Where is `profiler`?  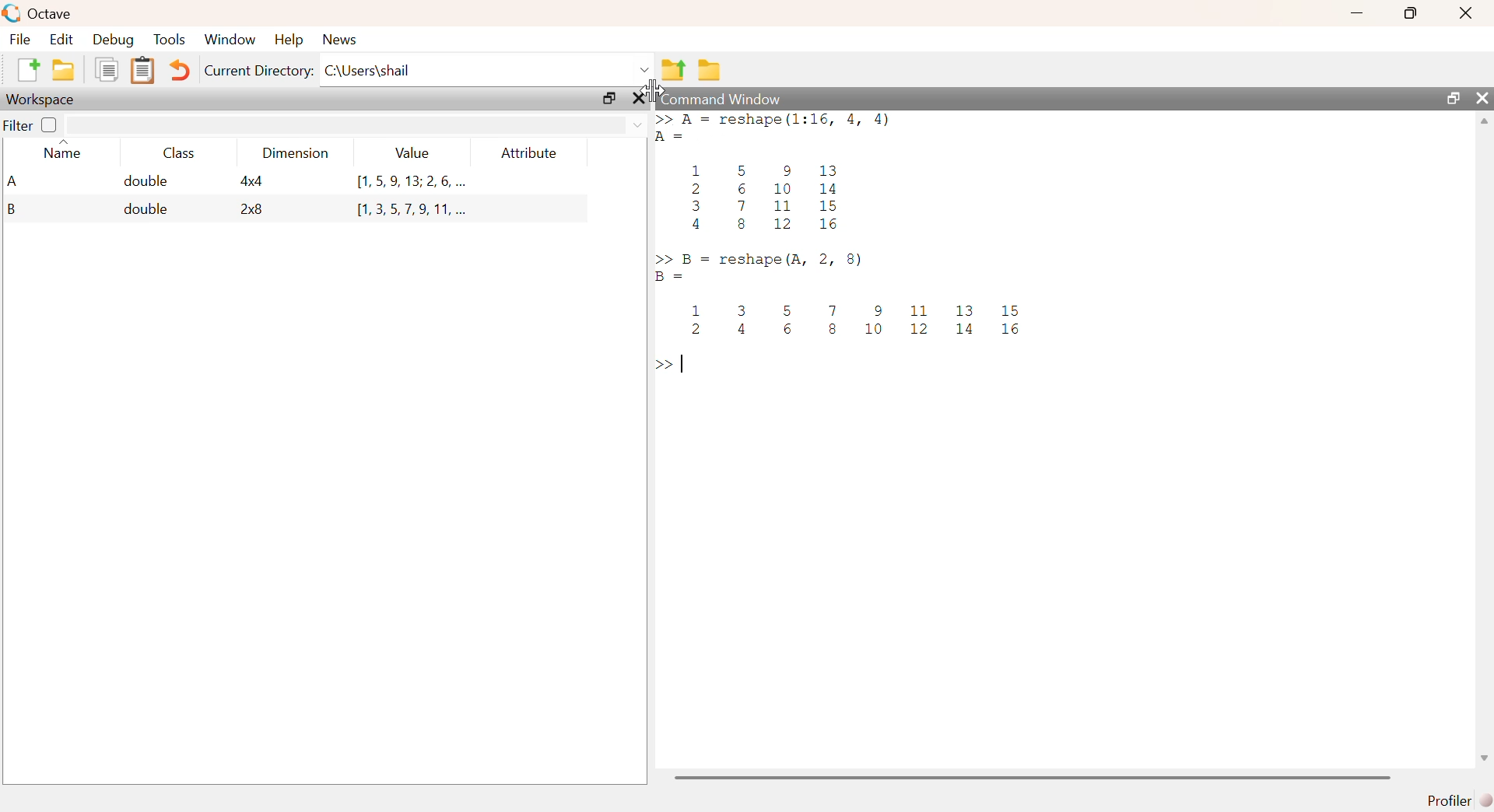 profiler is located at coordinates (1455, 800).